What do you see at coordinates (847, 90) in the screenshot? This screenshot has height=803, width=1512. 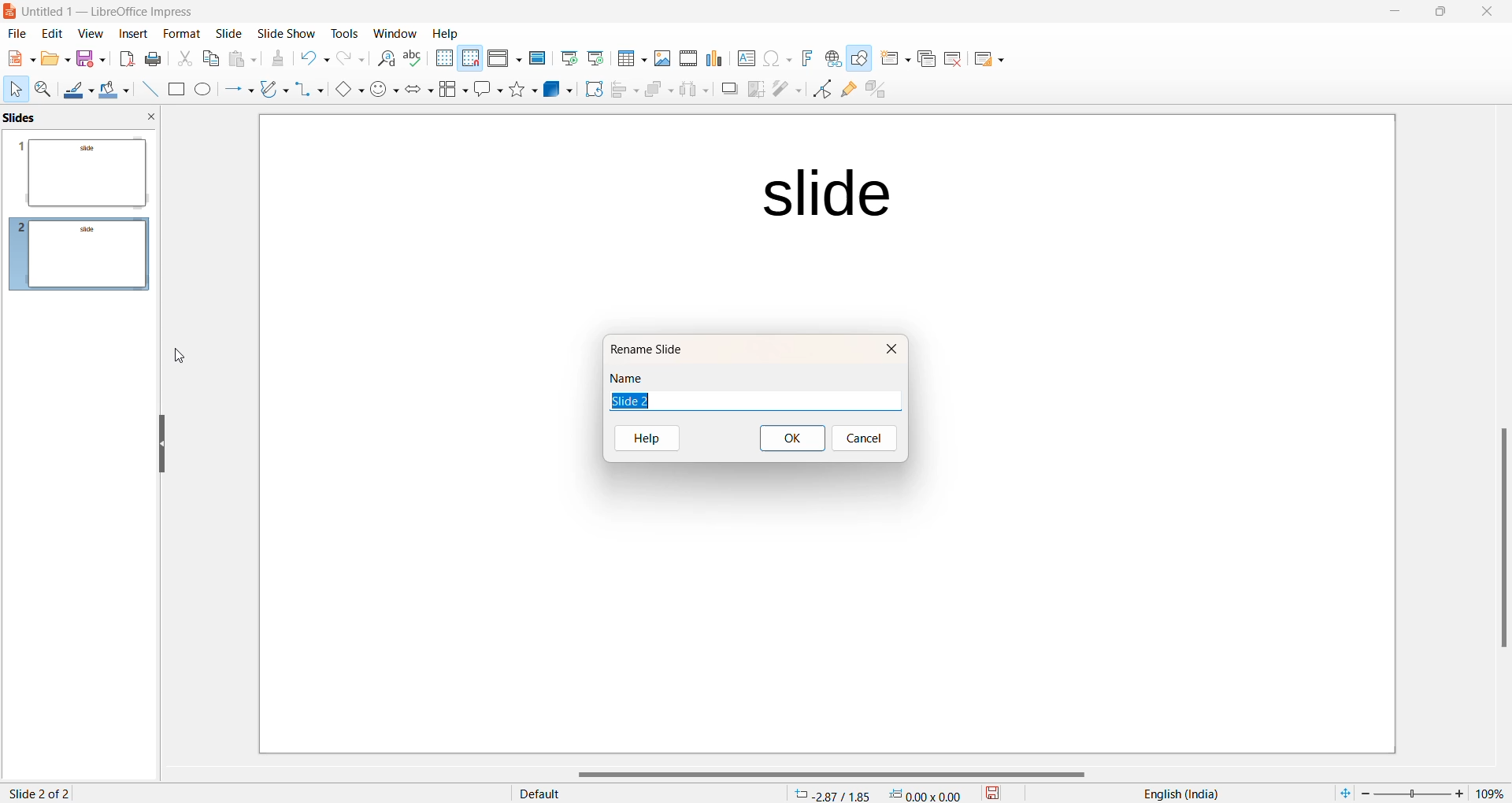 I see `Show glue point function` at bounding box center [847, 90].